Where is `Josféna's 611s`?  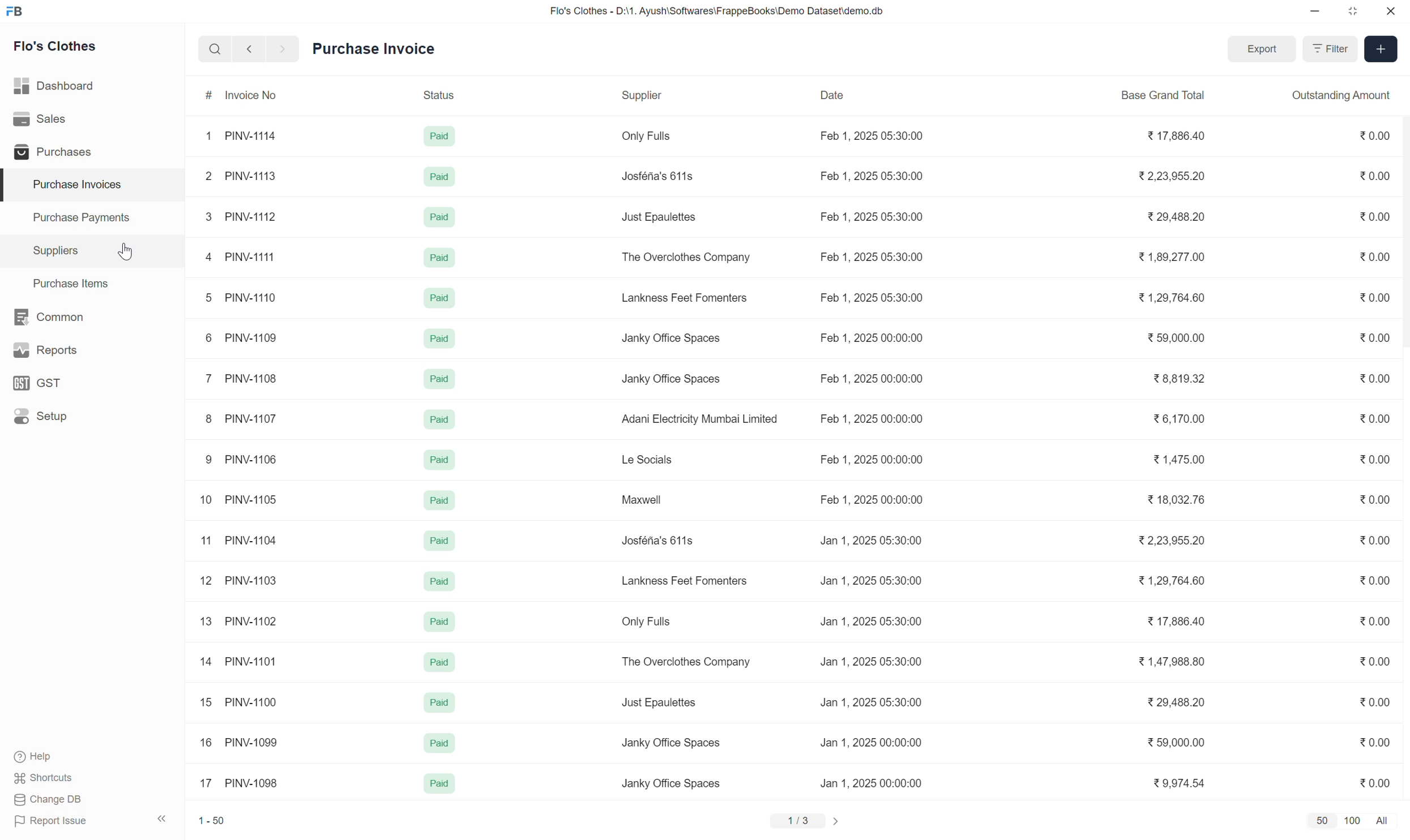 Josféna's 611s is located at coordinates (658, 176).